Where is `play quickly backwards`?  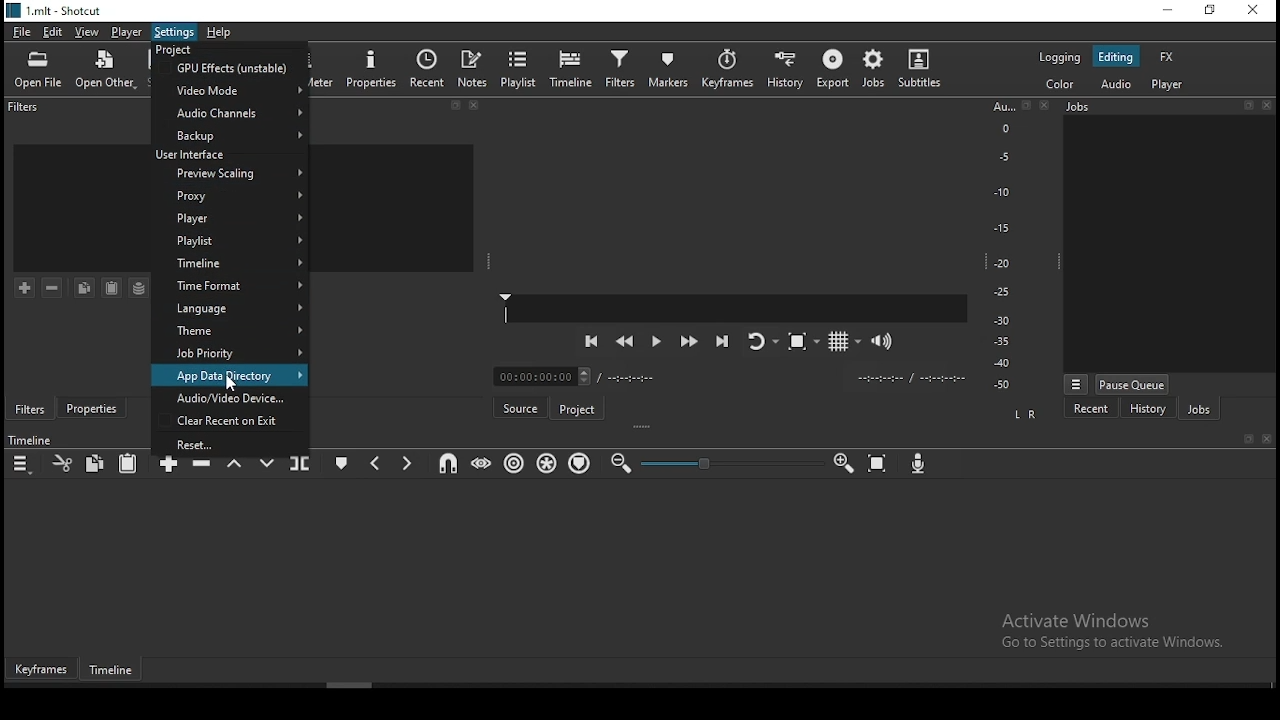 play quickly backwards is located at coordinates (624, 344).